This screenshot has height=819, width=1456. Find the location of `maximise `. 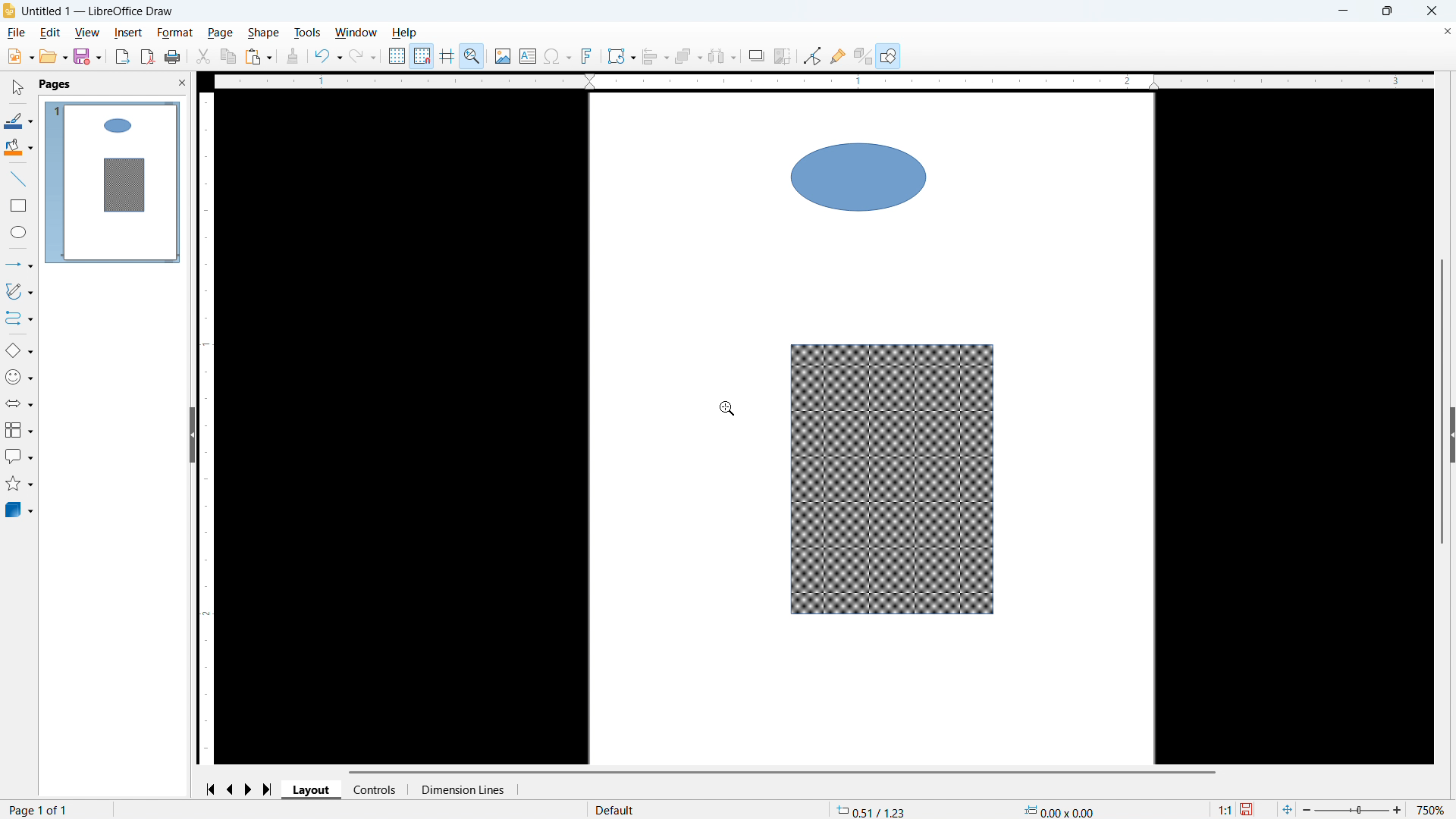

maximise  is located at coordinates (1386, 11).